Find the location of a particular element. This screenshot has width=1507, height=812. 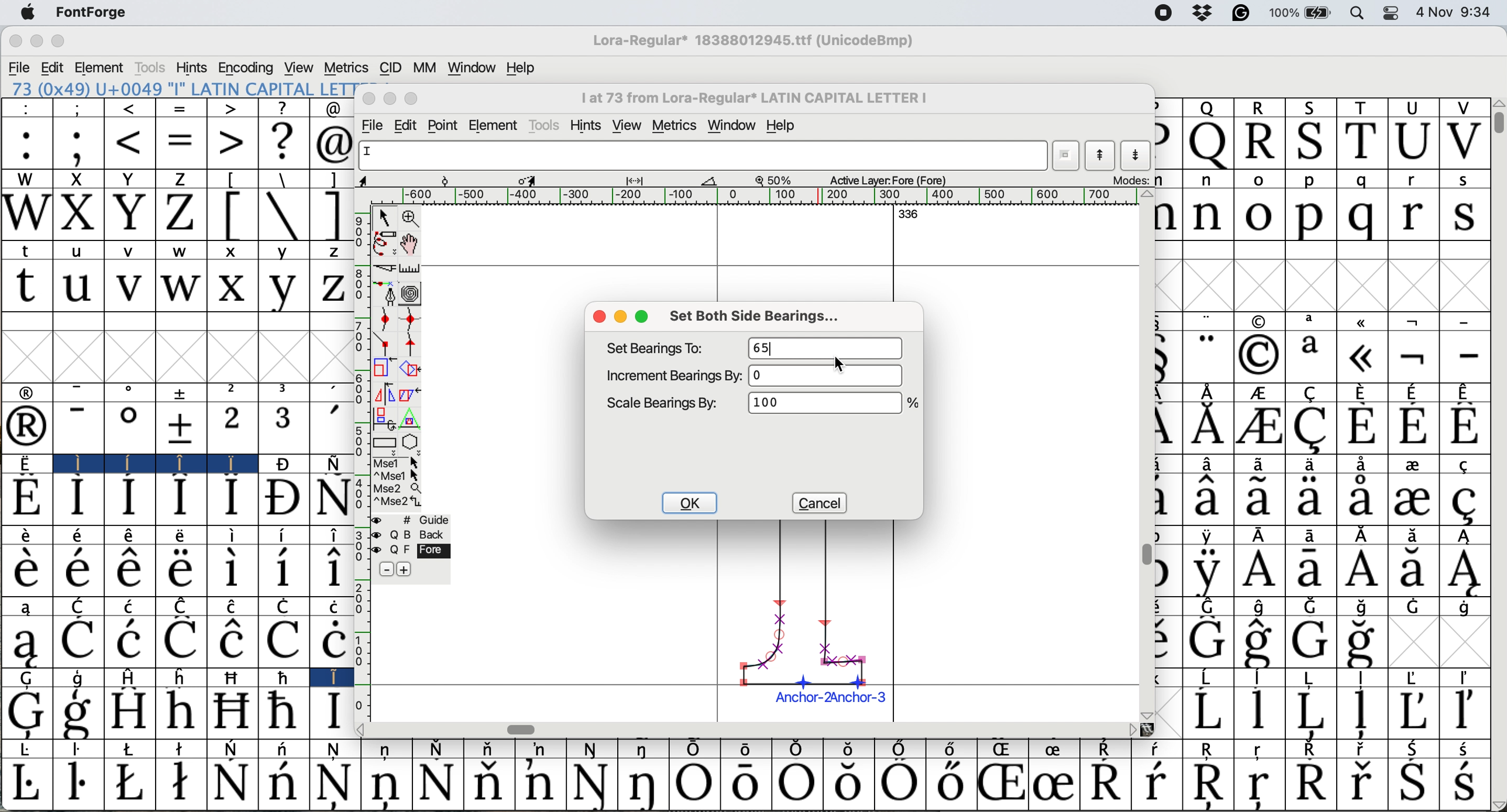

Symbol is located at coordinates (387, 751).